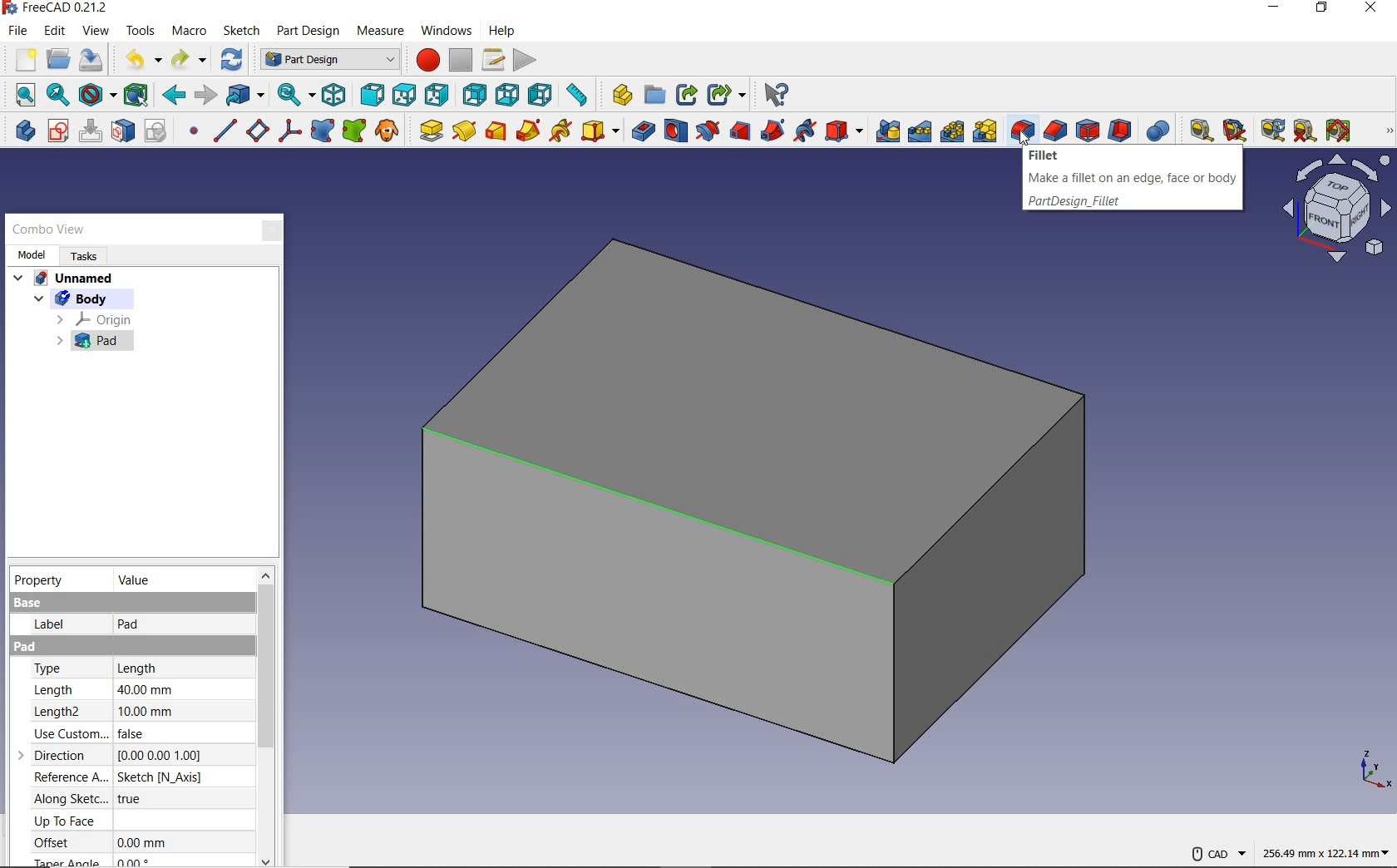 The height and width of the screenshot is (868, 1397). Describe the element at coordinates (740, 132) in the screenshot. I see `subtractive loft` at that location.